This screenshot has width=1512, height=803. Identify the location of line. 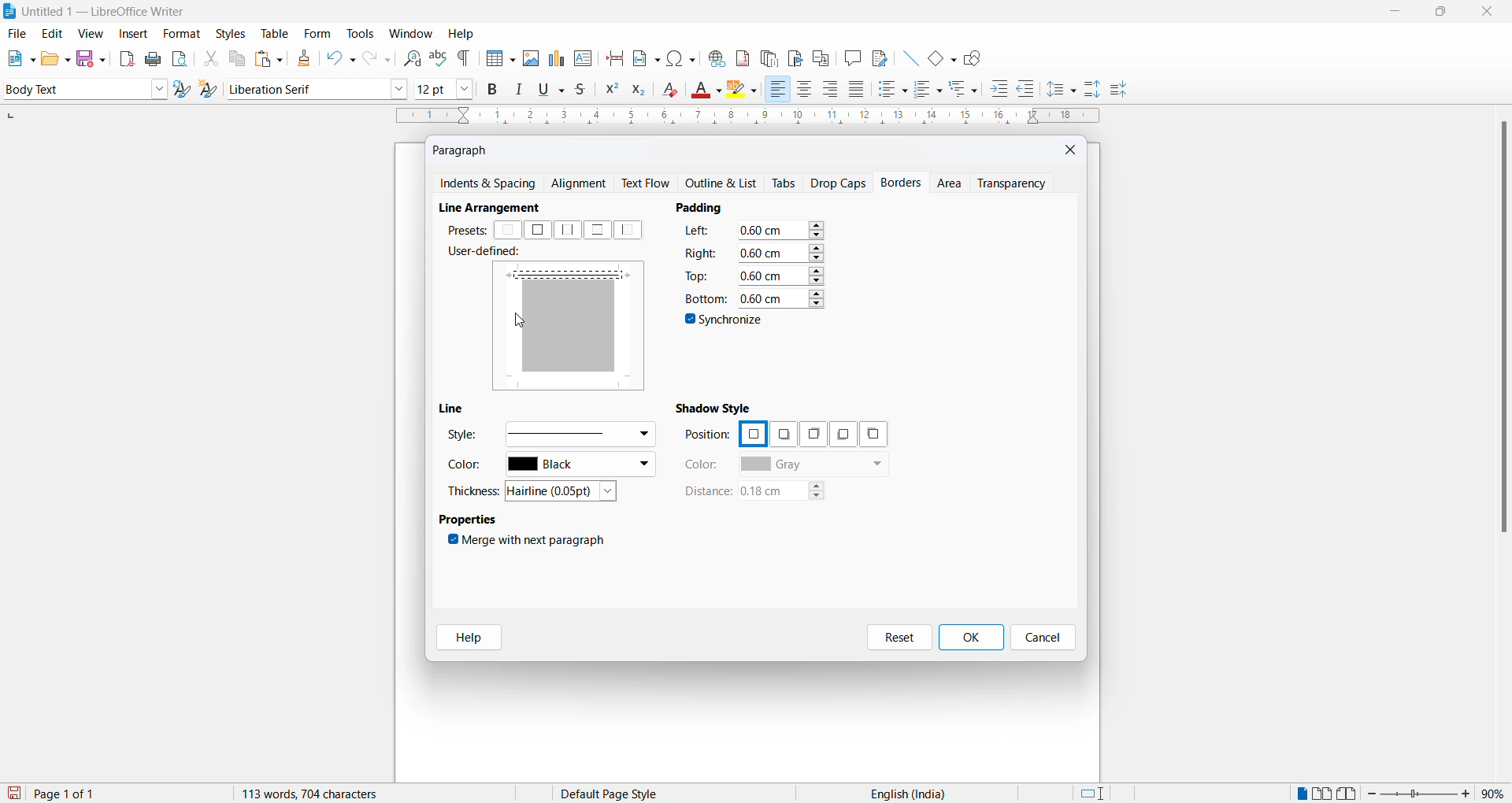
(906, 56).